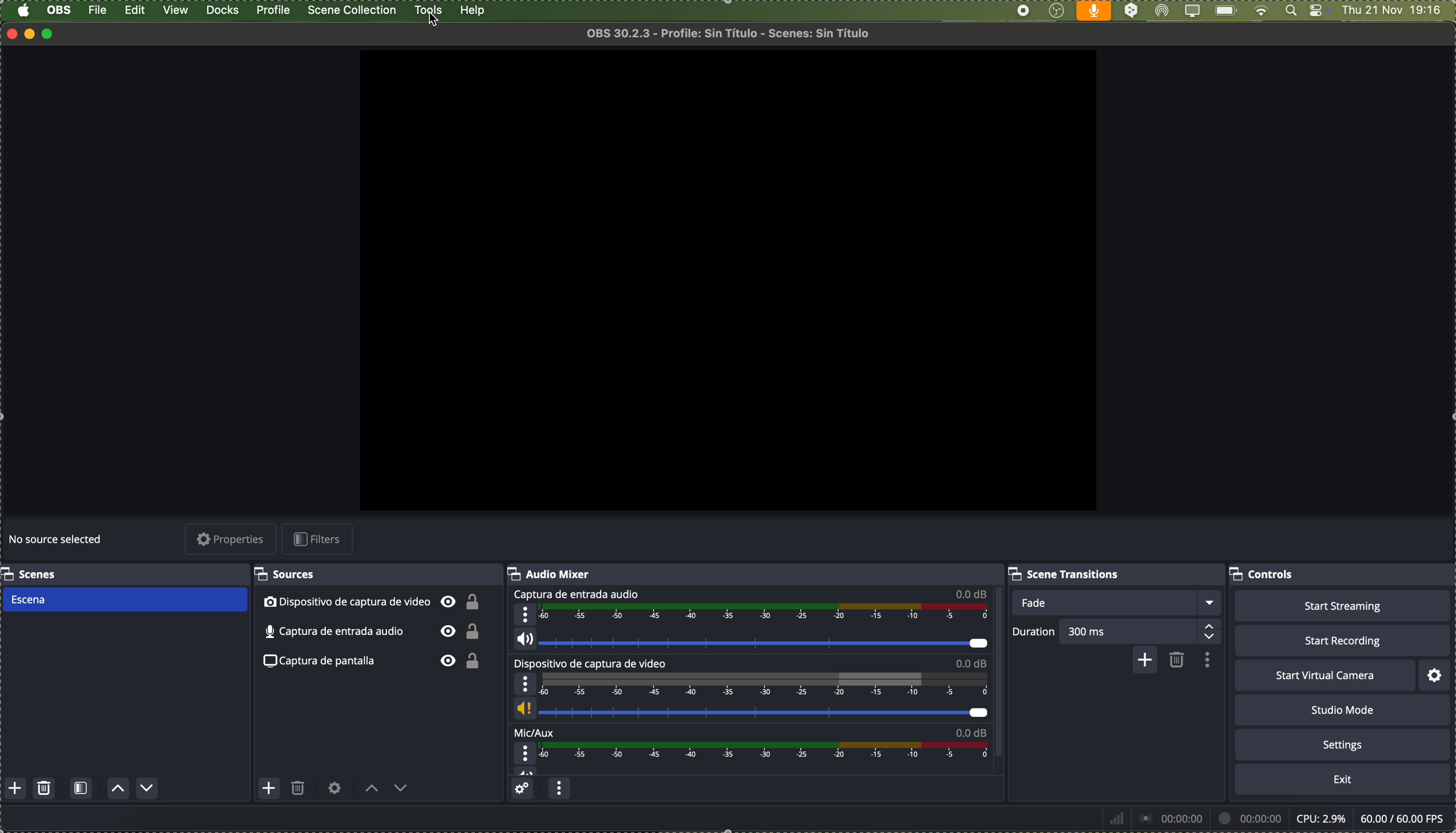 Image resolution: width=1456 pixels, height=833 pixels. What do you see at coordinates (1056, 11) in the screenshot?
I see `OBS Studio` at bounding box center [1056, 11].